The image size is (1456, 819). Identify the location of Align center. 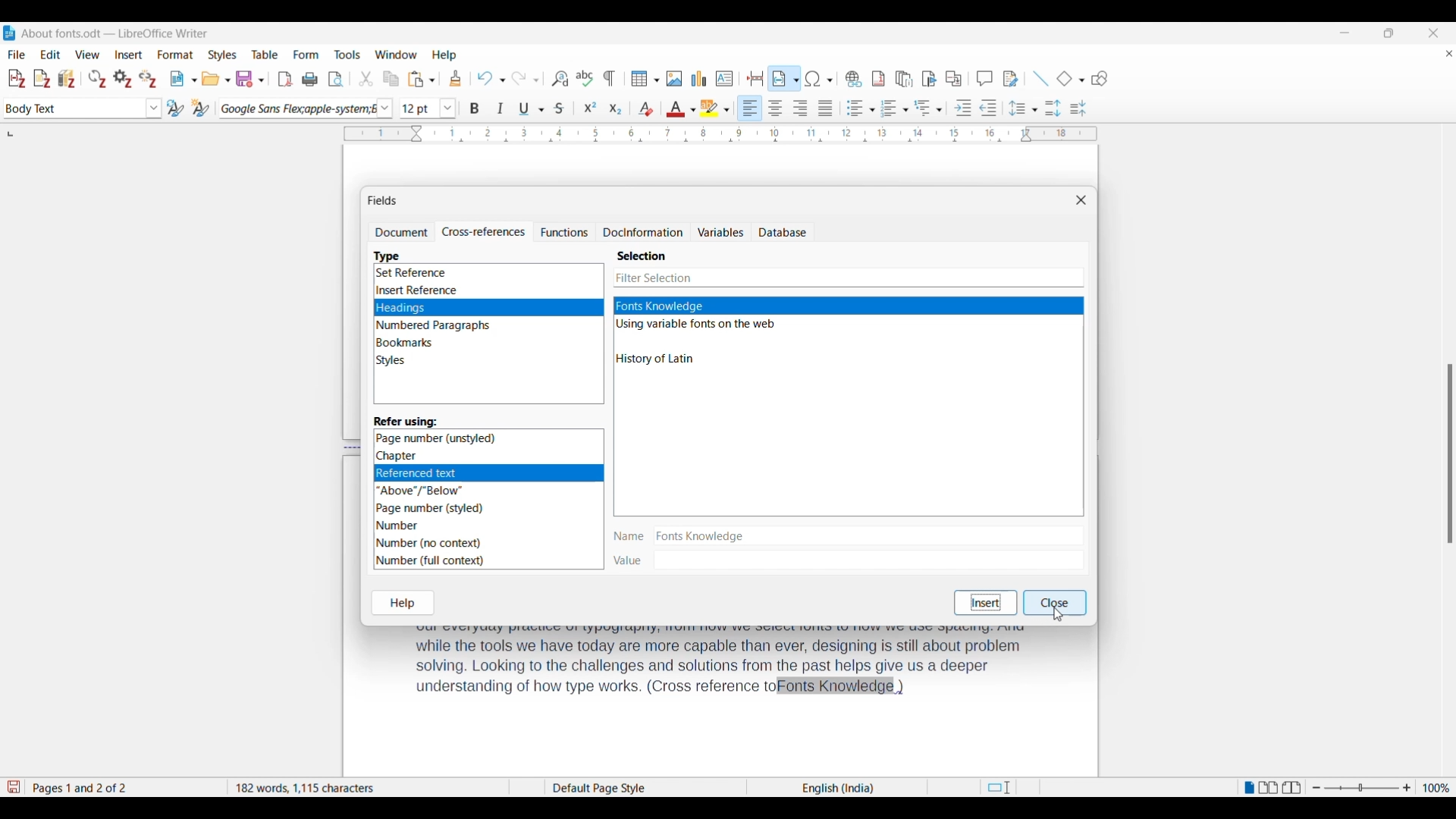
(775, 107).